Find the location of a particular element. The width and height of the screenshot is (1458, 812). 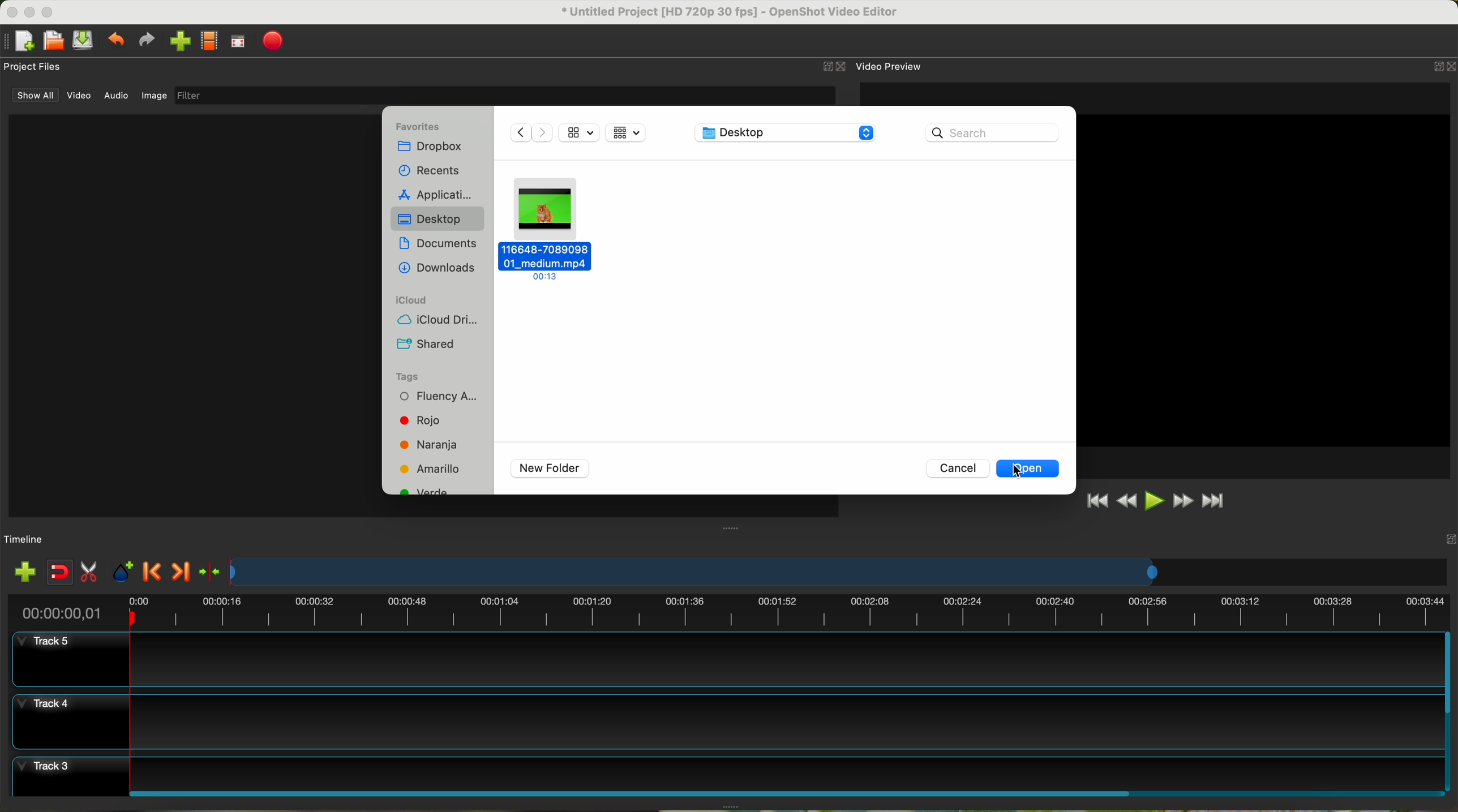

video preview is located at coordinates (891, 66).